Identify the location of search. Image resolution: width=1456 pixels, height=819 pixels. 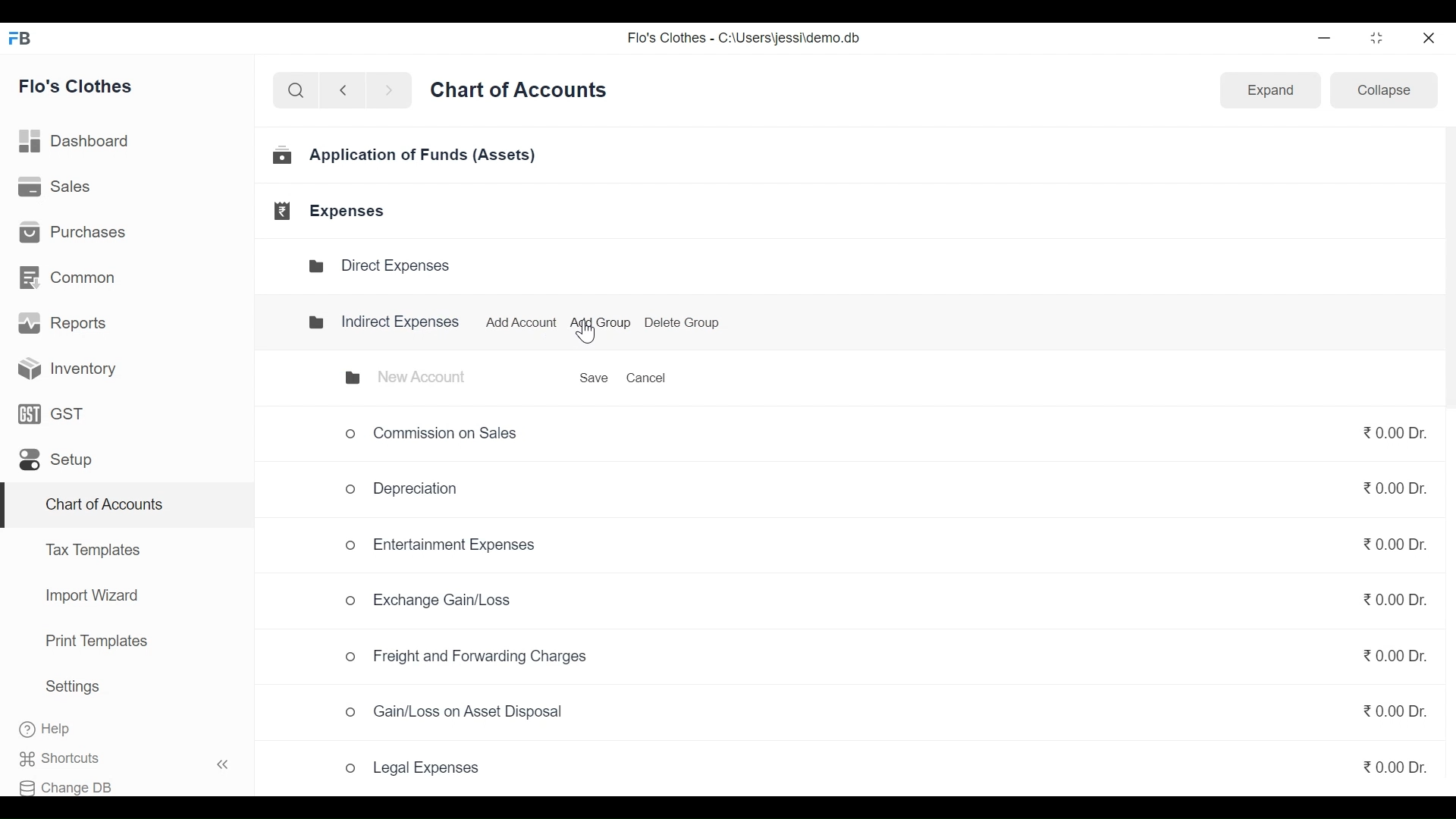
(296, 91).